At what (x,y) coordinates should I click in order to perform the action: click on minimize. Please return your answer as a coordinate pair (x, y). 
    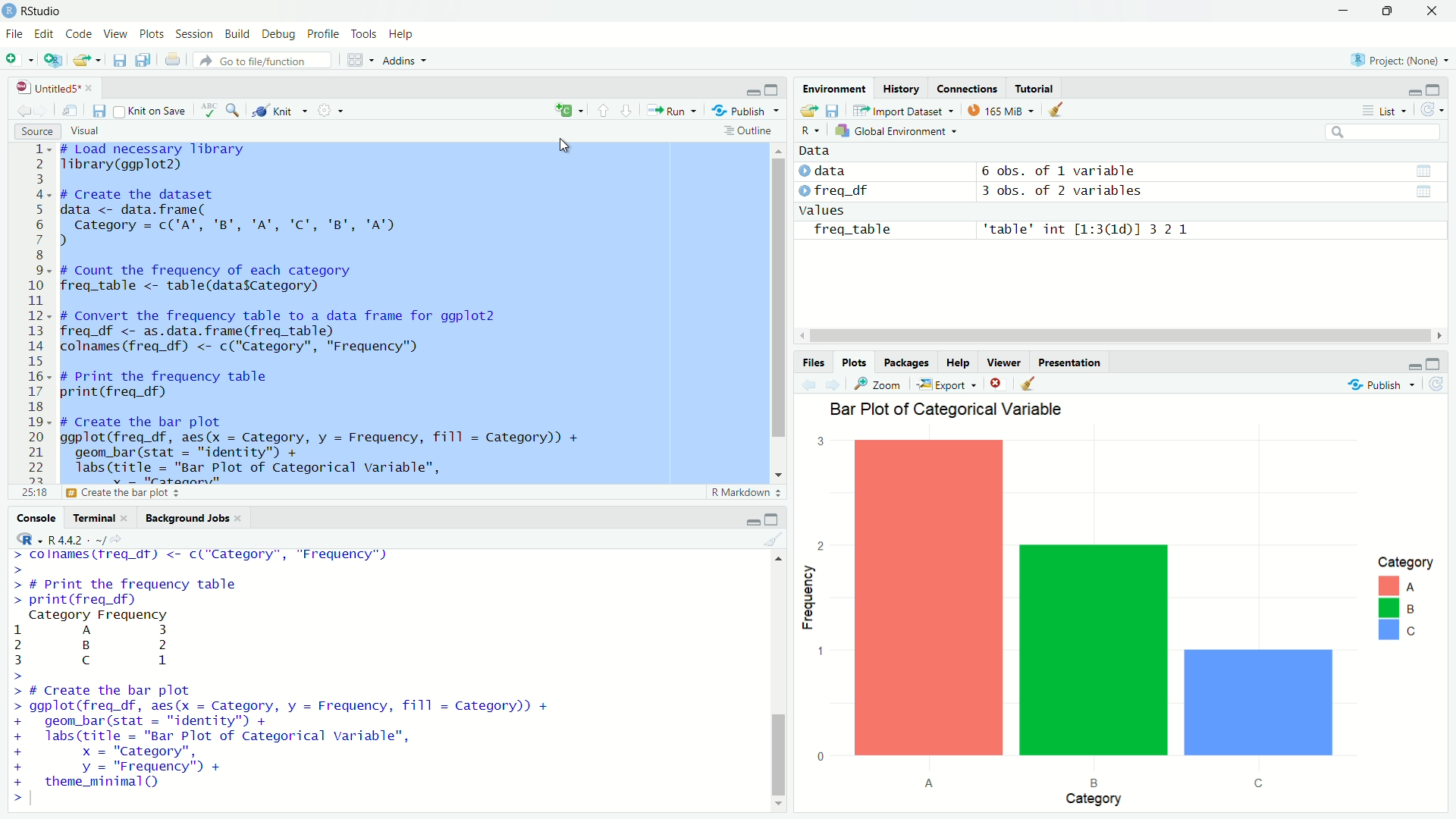
    Looking at the image, I should click on (754, 93).